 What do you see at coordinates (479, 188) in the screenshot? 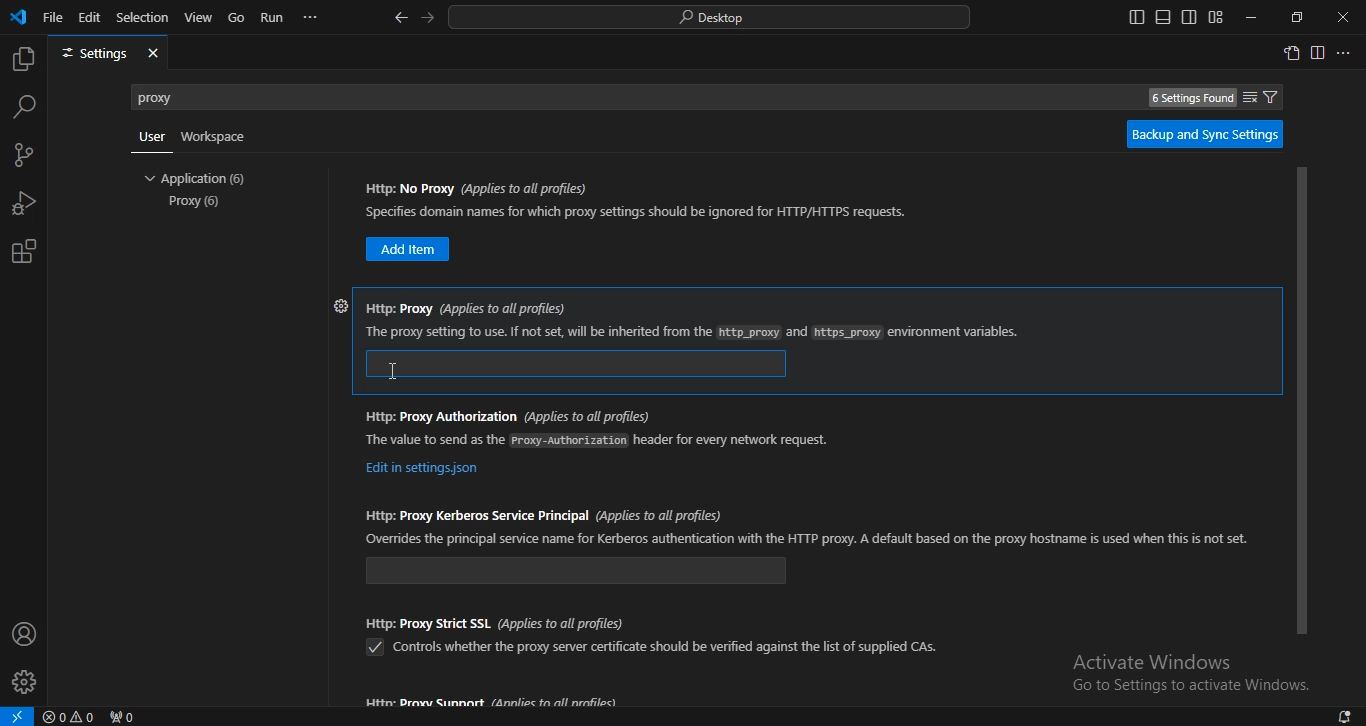
I see `https: no proxy` at bounding box center [479, 188].